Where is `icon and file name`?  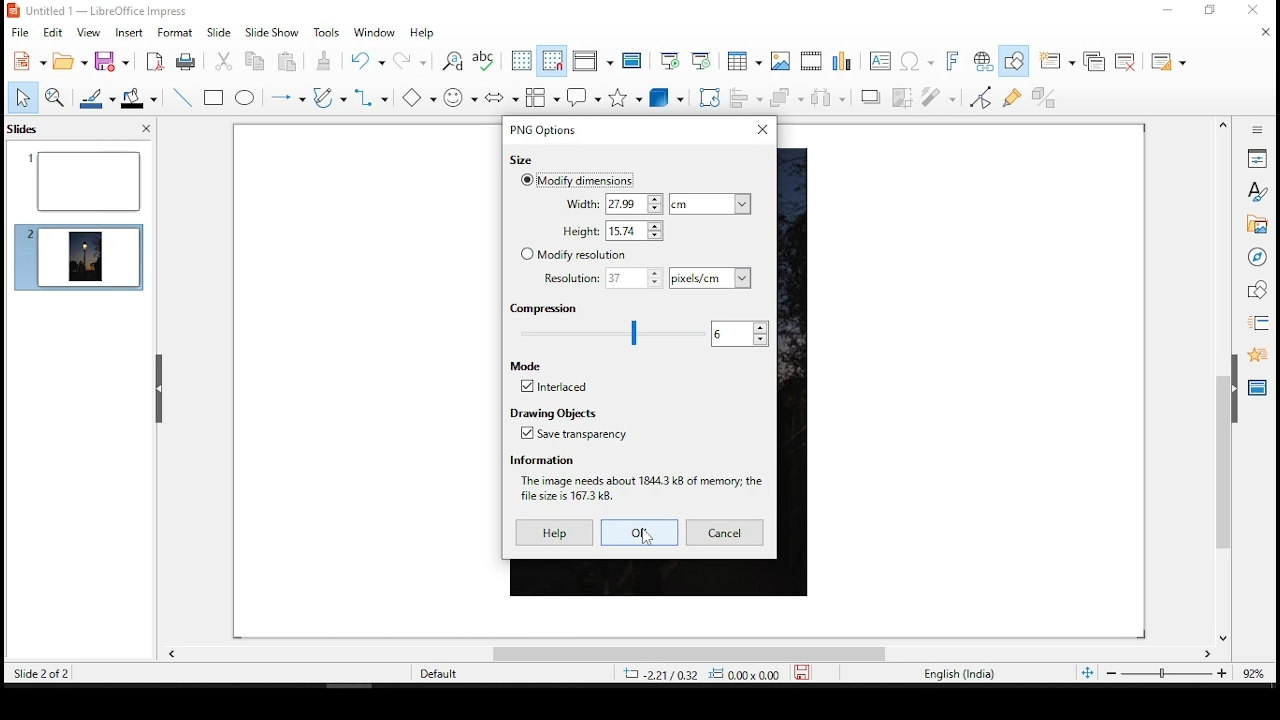 icon and file name is located at coordinates (114, 12).